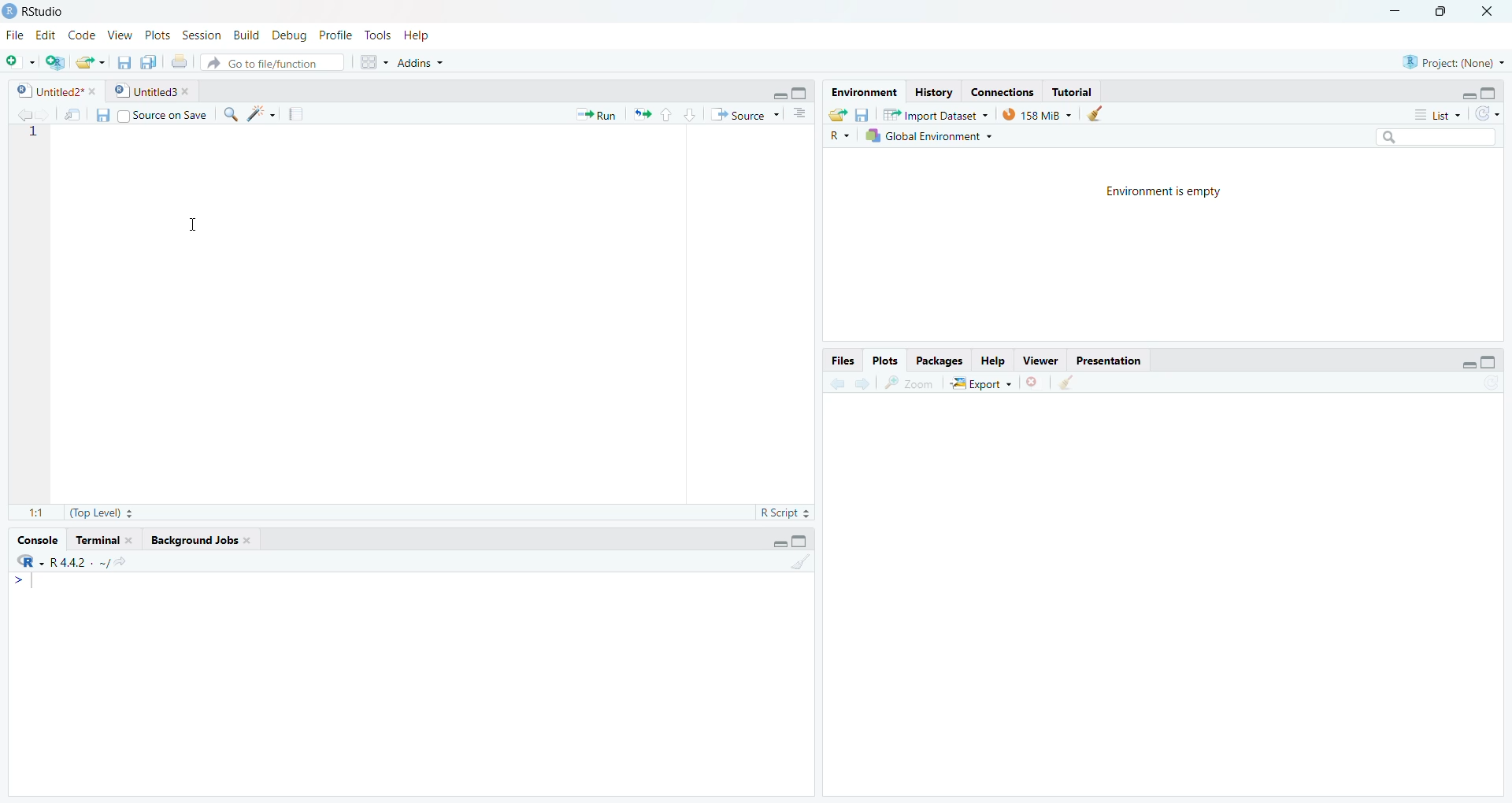 The height and width of the screenshot is (803, 1512). I want to click on Session, so click(198, 34).